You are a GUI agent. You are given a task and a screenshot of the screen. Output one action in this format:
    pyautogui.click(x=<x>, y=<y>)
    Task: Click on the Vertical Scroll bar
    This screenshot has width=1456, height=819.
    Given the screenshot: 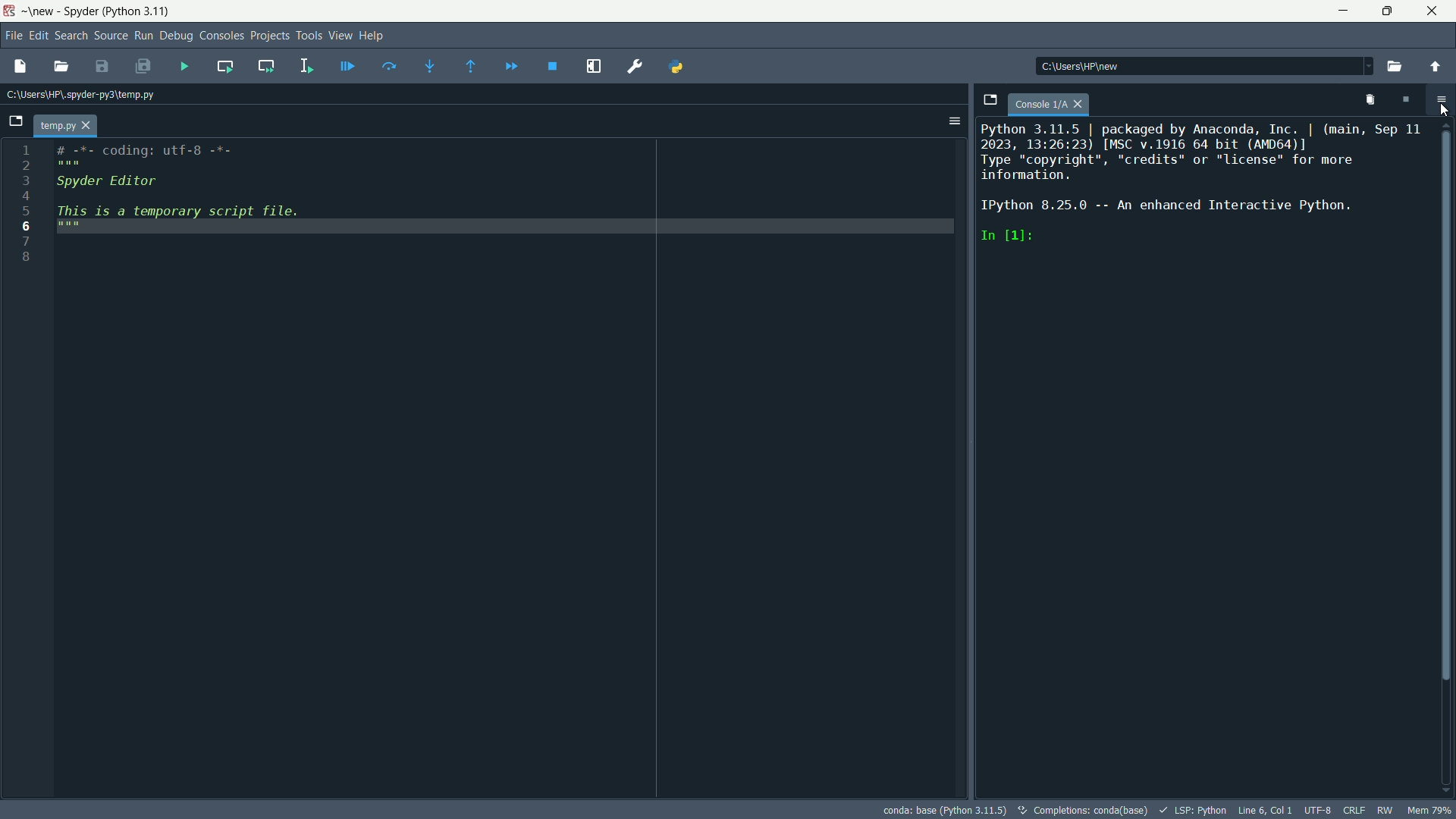 What is the action you would take?
    pyautogui.click(x=1447, y=403)
    